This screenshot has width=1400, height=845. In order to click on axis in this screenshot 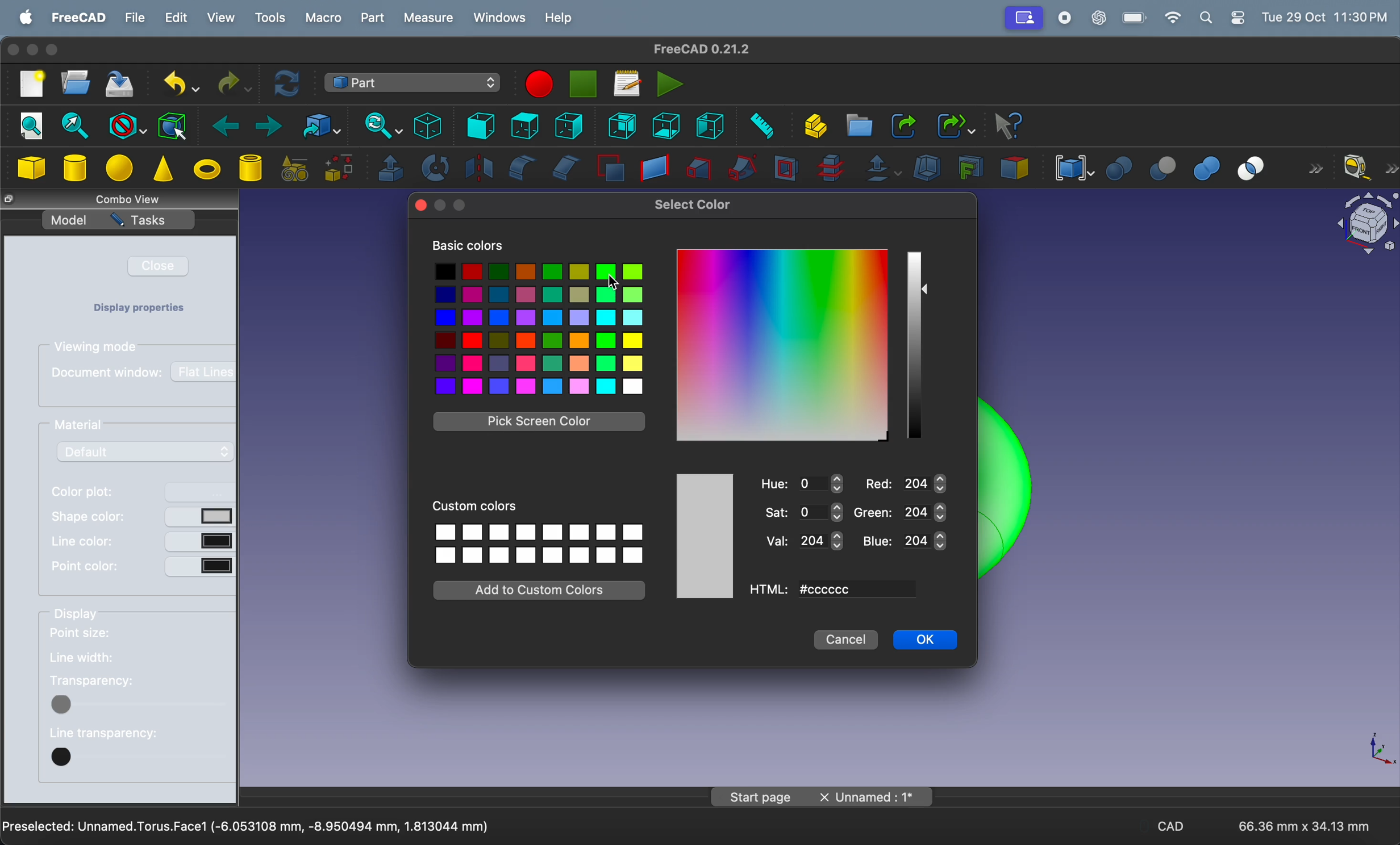, I will do `click(1380, 749)`.